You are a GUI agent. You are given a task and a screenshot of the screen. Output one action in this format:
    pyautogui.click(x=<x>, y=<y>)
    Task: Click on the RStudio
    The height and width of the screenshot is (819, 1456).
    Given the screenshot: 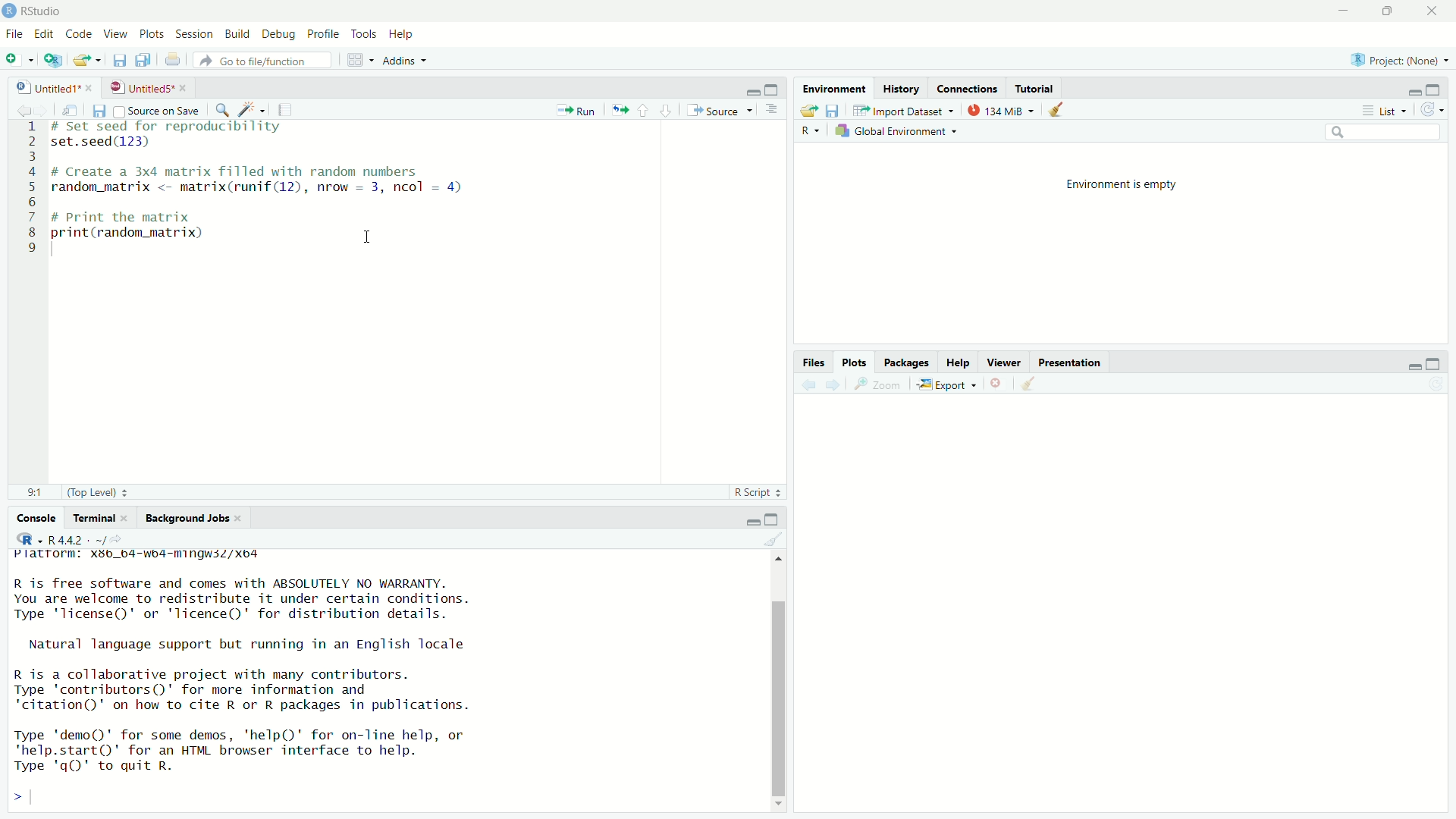 What is the action you would take?
    pyautogui.click(x=40, y=11)
    